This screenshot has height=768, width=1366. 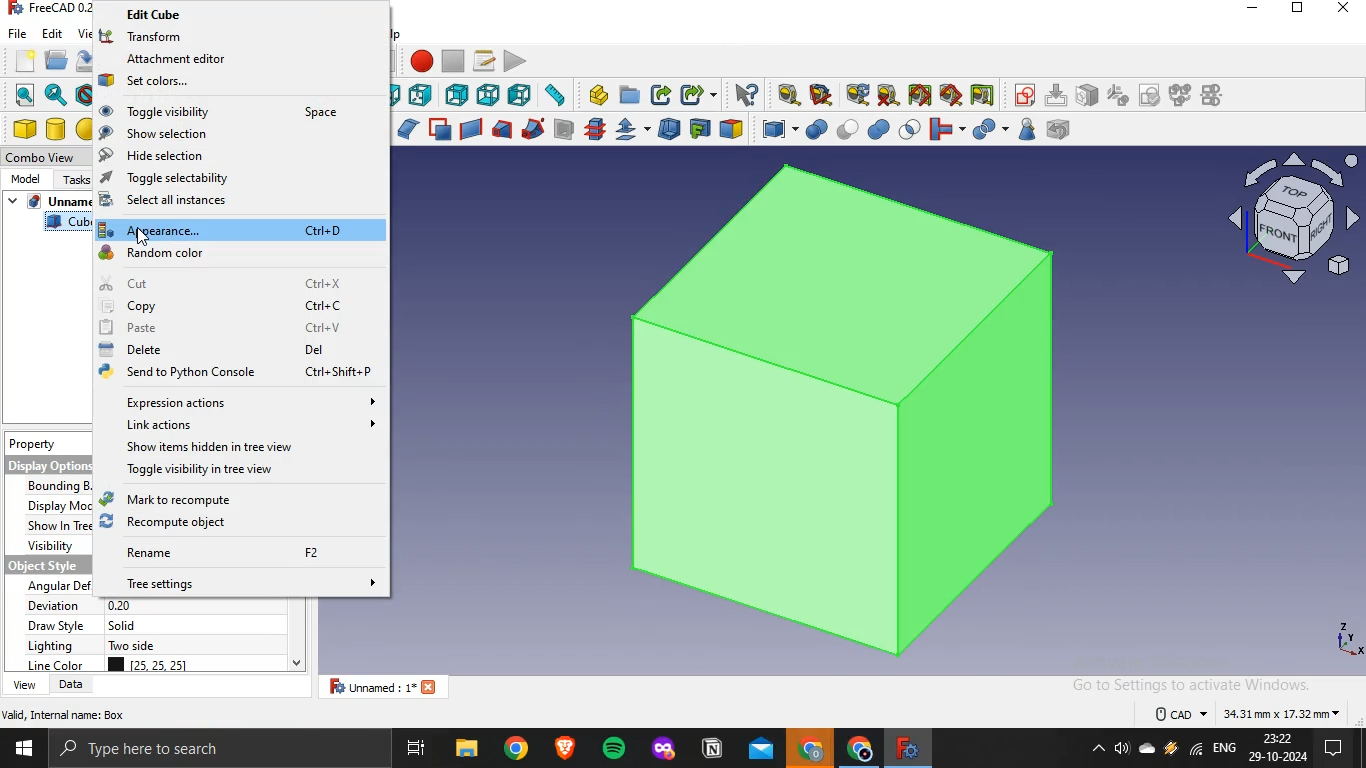 What do you see at coordinates (233, 306) in the screenshot?
I see `copy` at bounding box center [233, 306].